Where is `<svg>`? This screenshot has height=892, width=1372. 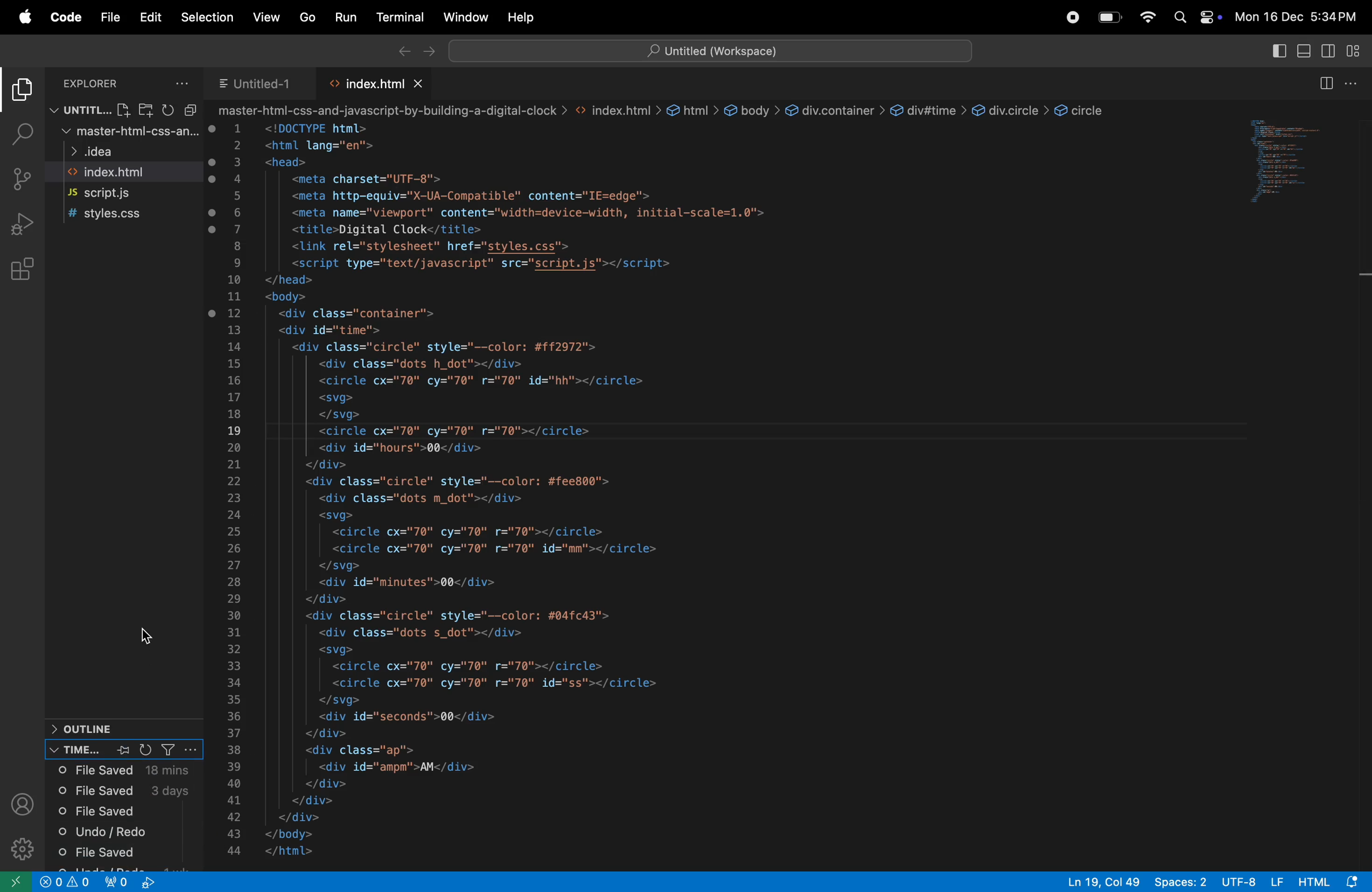
<svg> is located at coordinates (330, 516).